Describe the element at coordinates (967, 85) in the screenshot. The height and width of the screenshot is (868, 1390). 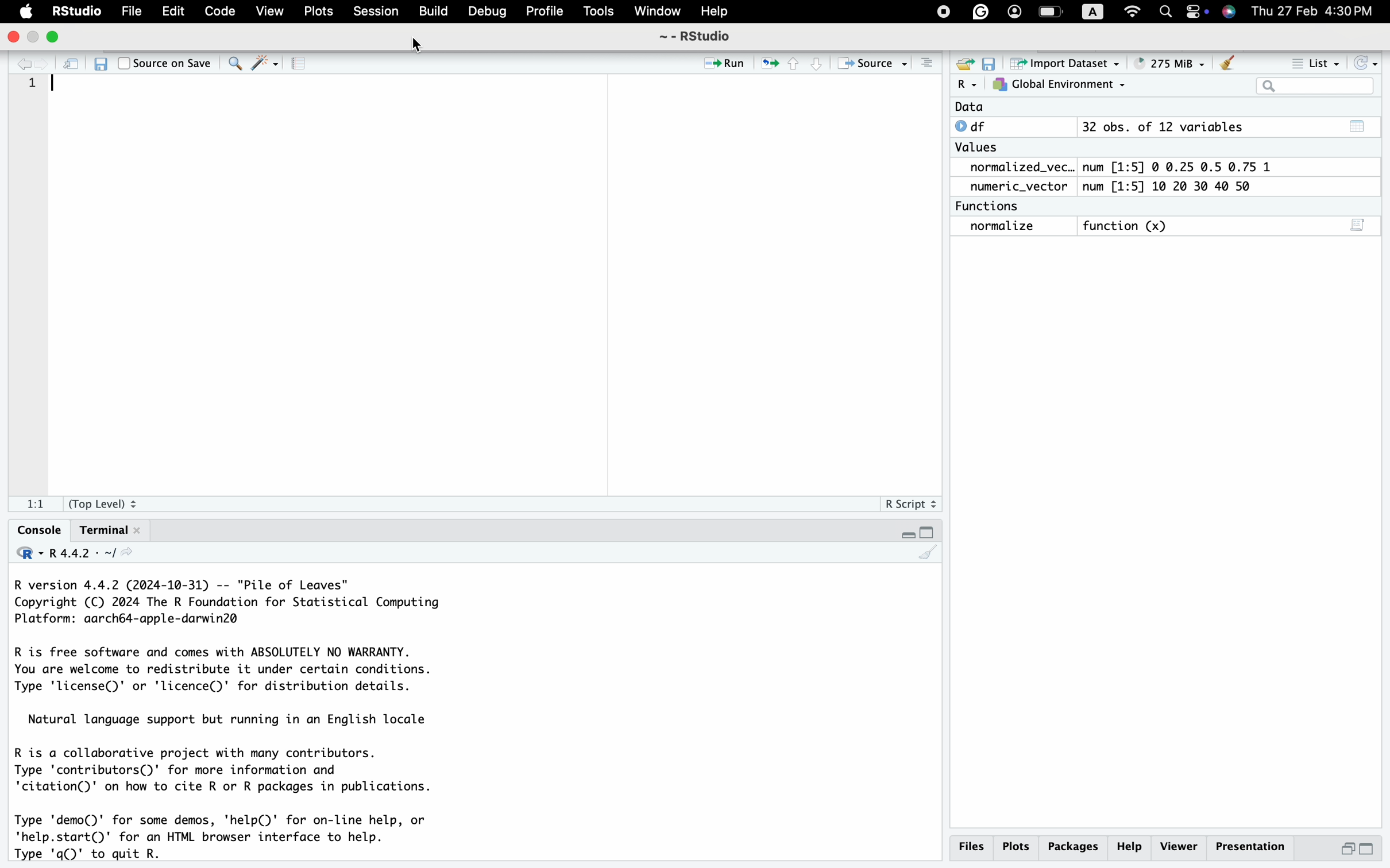
I see `select language` at that location.